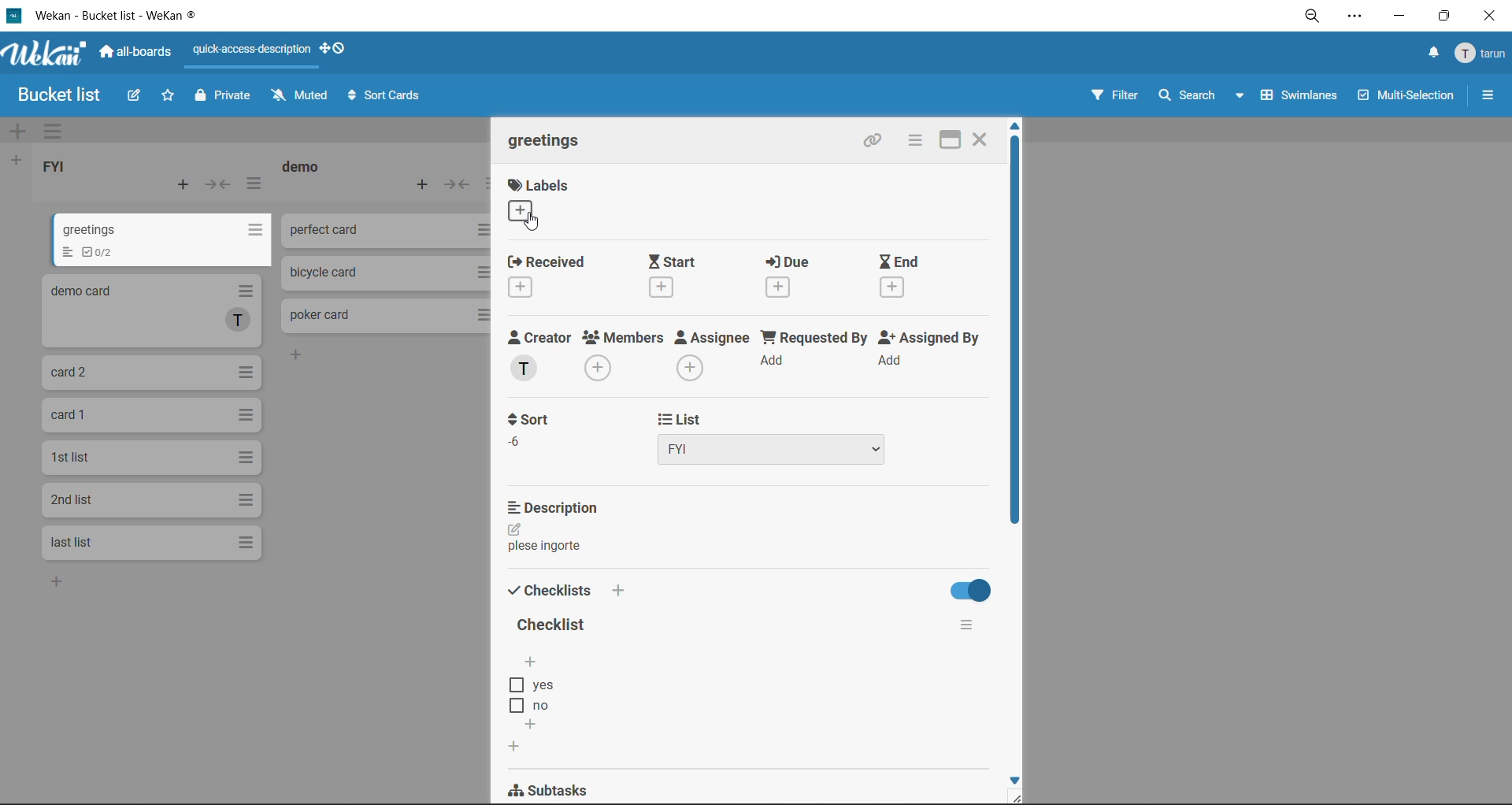 This screenshot has width=1512, height=805. What do you see at coordinates (917, 281) in the screenshot?
I see `end` at bounding box center [917, 281].